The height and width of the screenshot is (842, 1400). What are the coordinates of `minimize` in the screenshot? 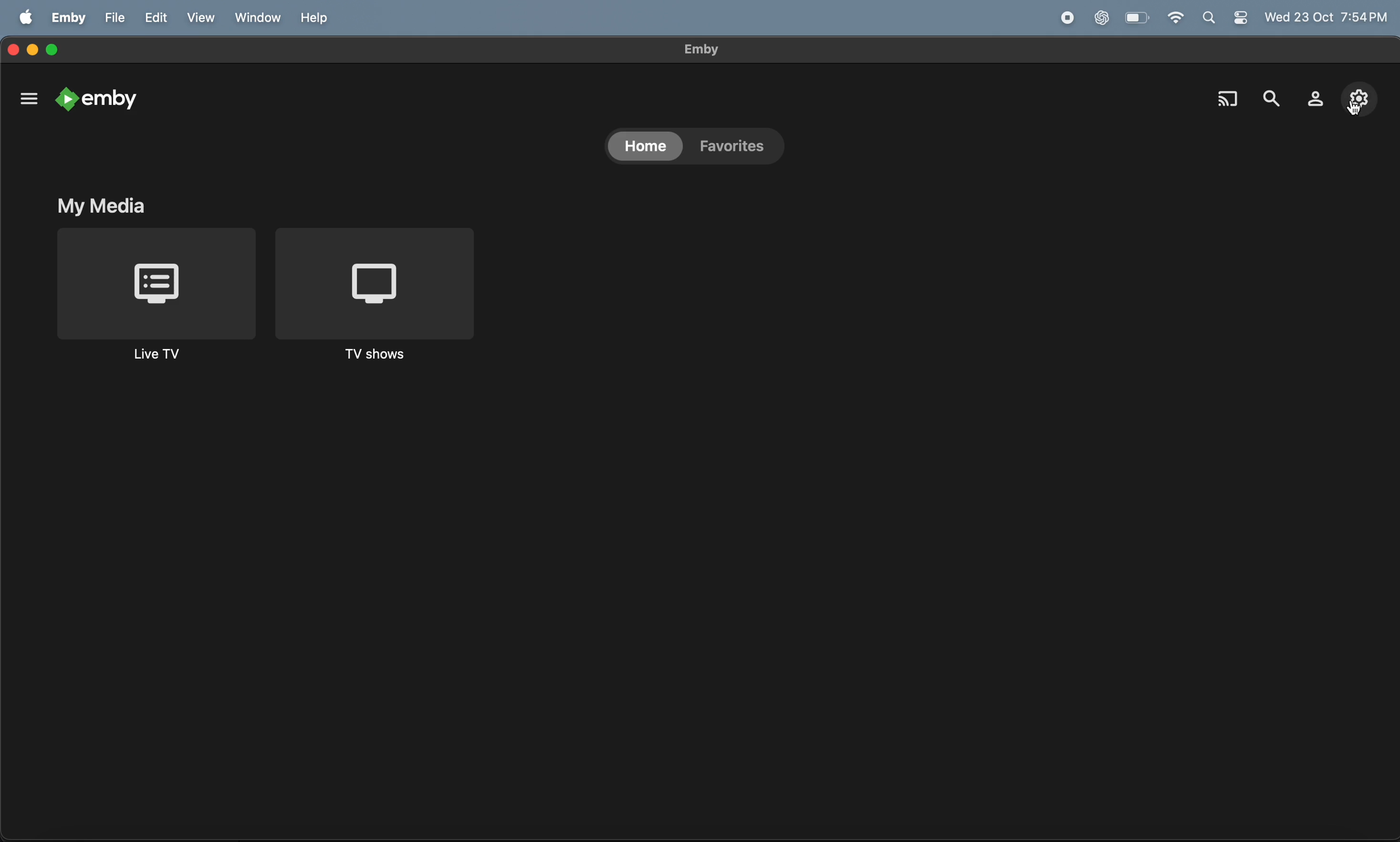 It's located at (35, 48).